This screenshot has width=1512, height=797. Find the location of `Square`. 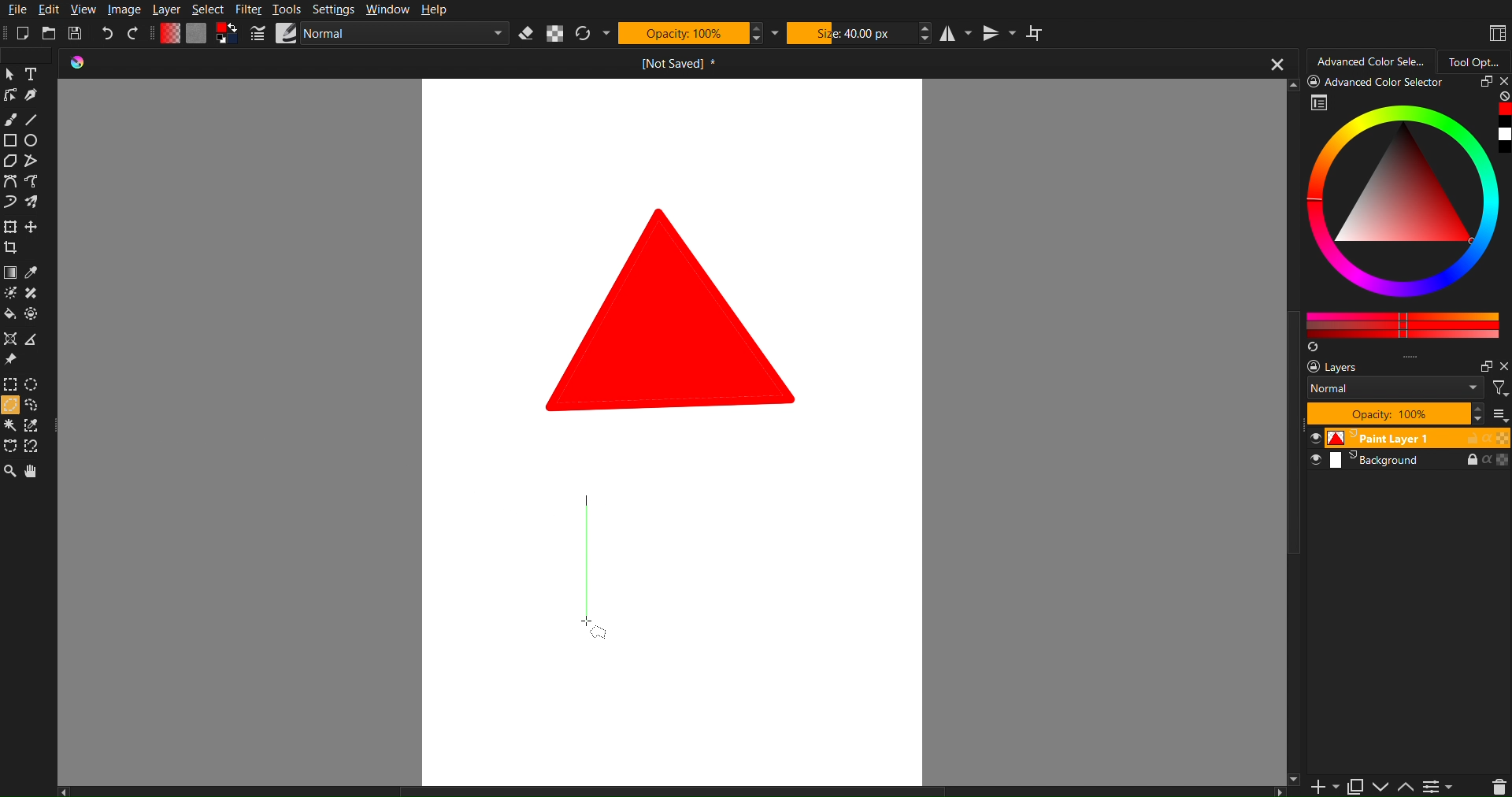

Square is located at coordinates (9, 141).